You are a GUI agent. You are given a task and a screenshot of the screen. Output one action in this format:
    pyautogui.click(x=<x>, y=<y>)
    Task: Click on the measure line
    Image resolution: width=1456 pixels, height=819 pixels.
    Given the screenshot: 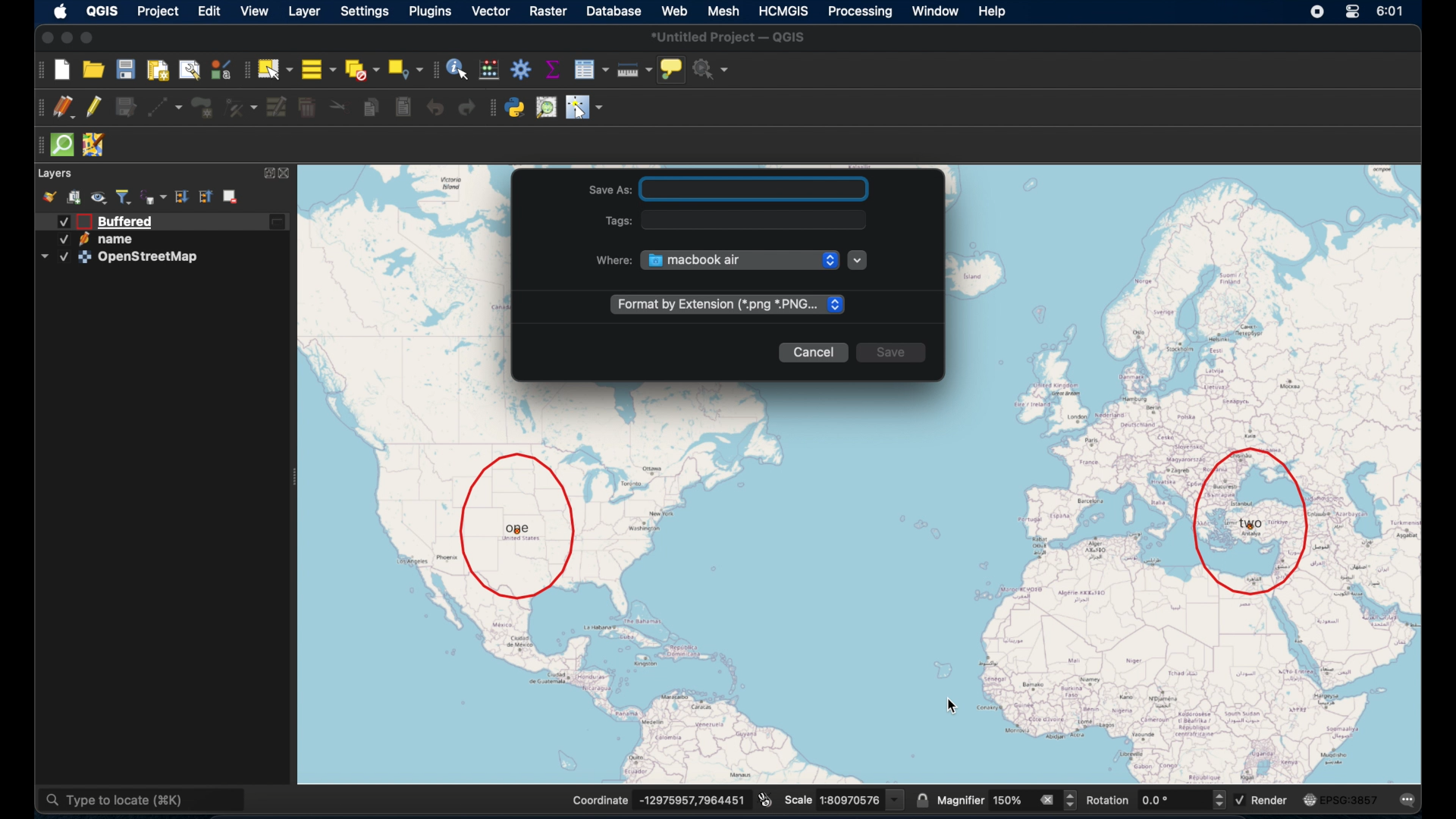 What is the action you would take?
    pyautogui.click(x=633, y=68)
    